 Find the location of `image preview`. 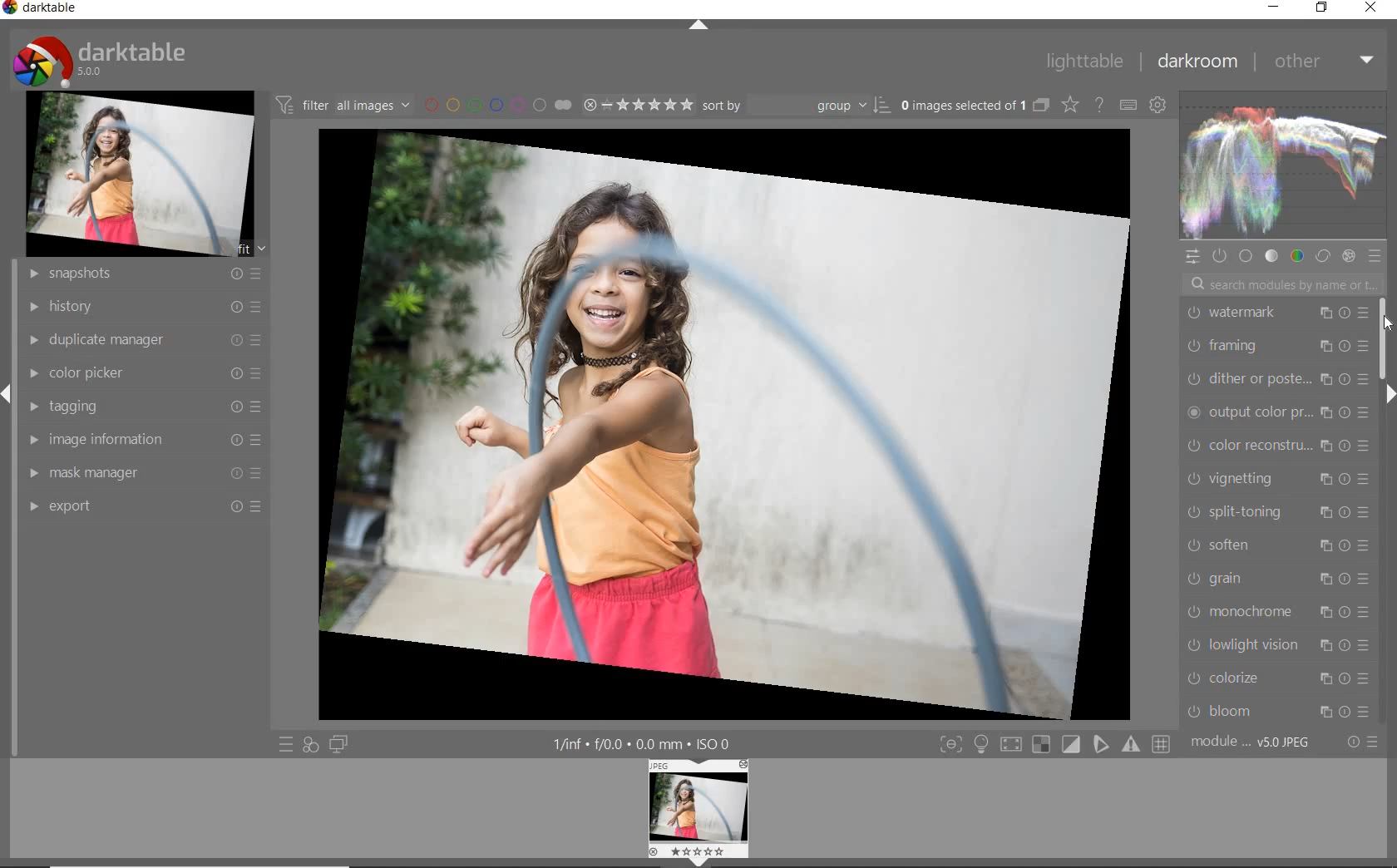

image preview is located at coordinates (701, 813).